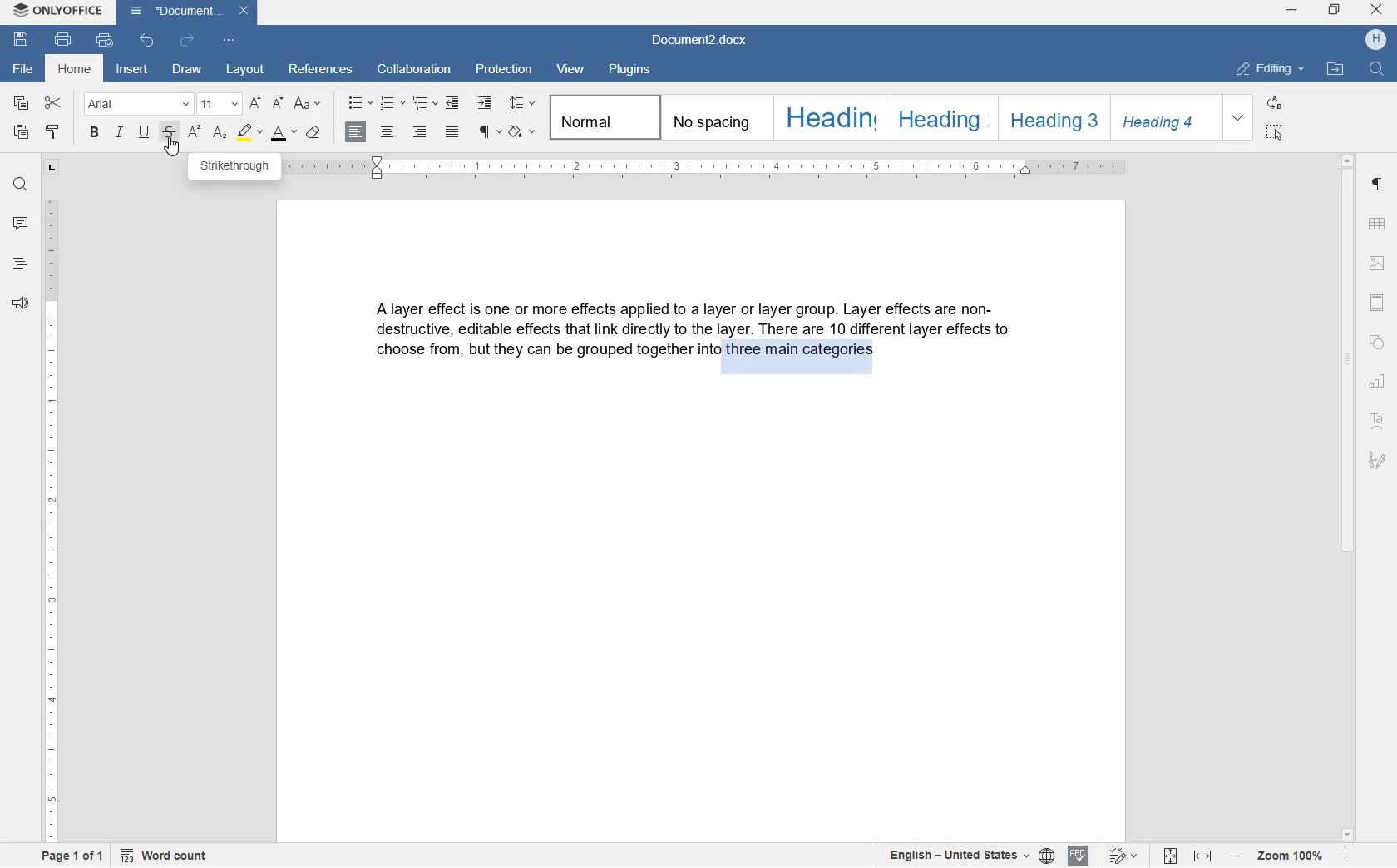 The width and height of the screenshot is (1397, 868). I want to click on quick print, so click(105, 41).